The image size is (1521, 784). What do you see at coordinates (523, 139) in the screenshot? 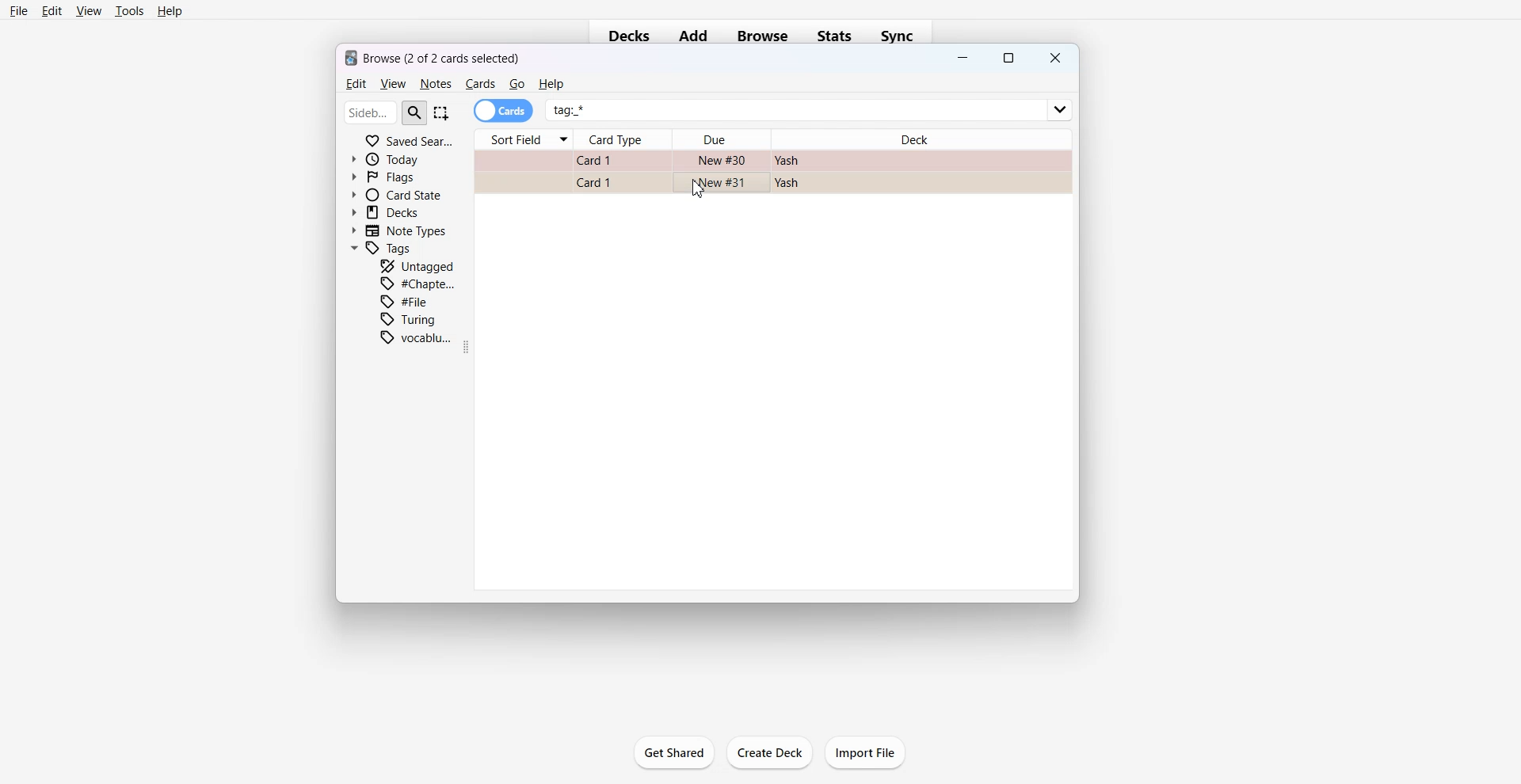
I see `Sort Field` at bounding box center [523, 139].